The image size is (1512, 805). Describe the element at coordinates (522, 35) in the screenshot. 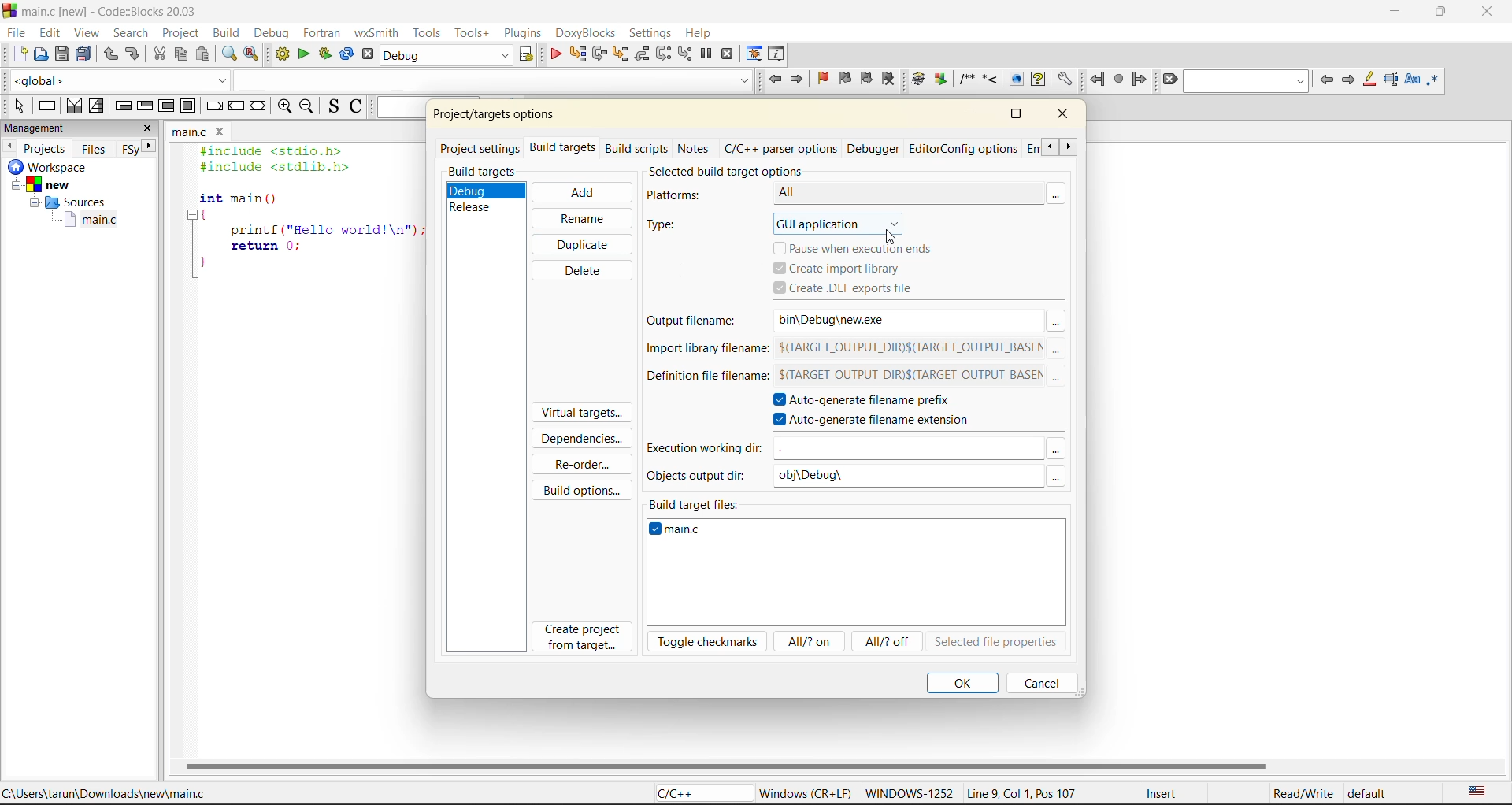

I see `plugins` at that location.